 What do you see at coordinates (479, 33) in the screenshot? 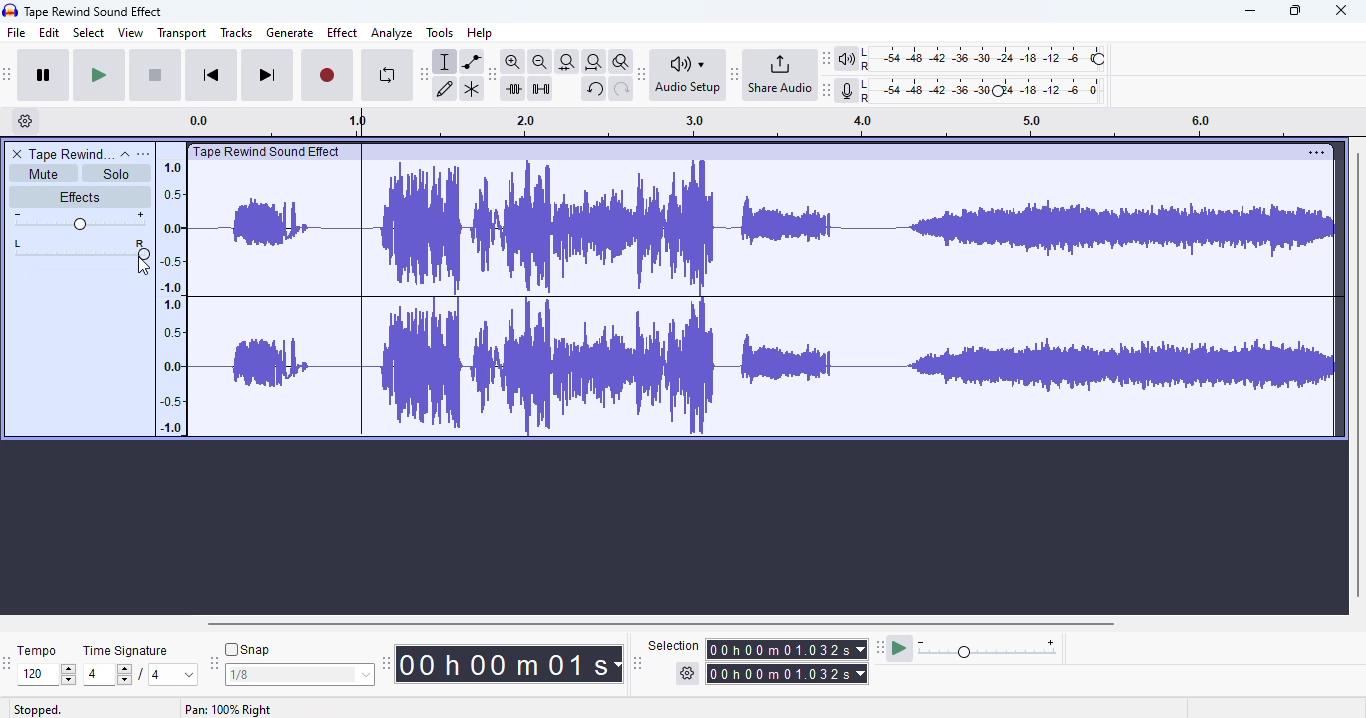
I see `help` at bounding box center [479, 33].